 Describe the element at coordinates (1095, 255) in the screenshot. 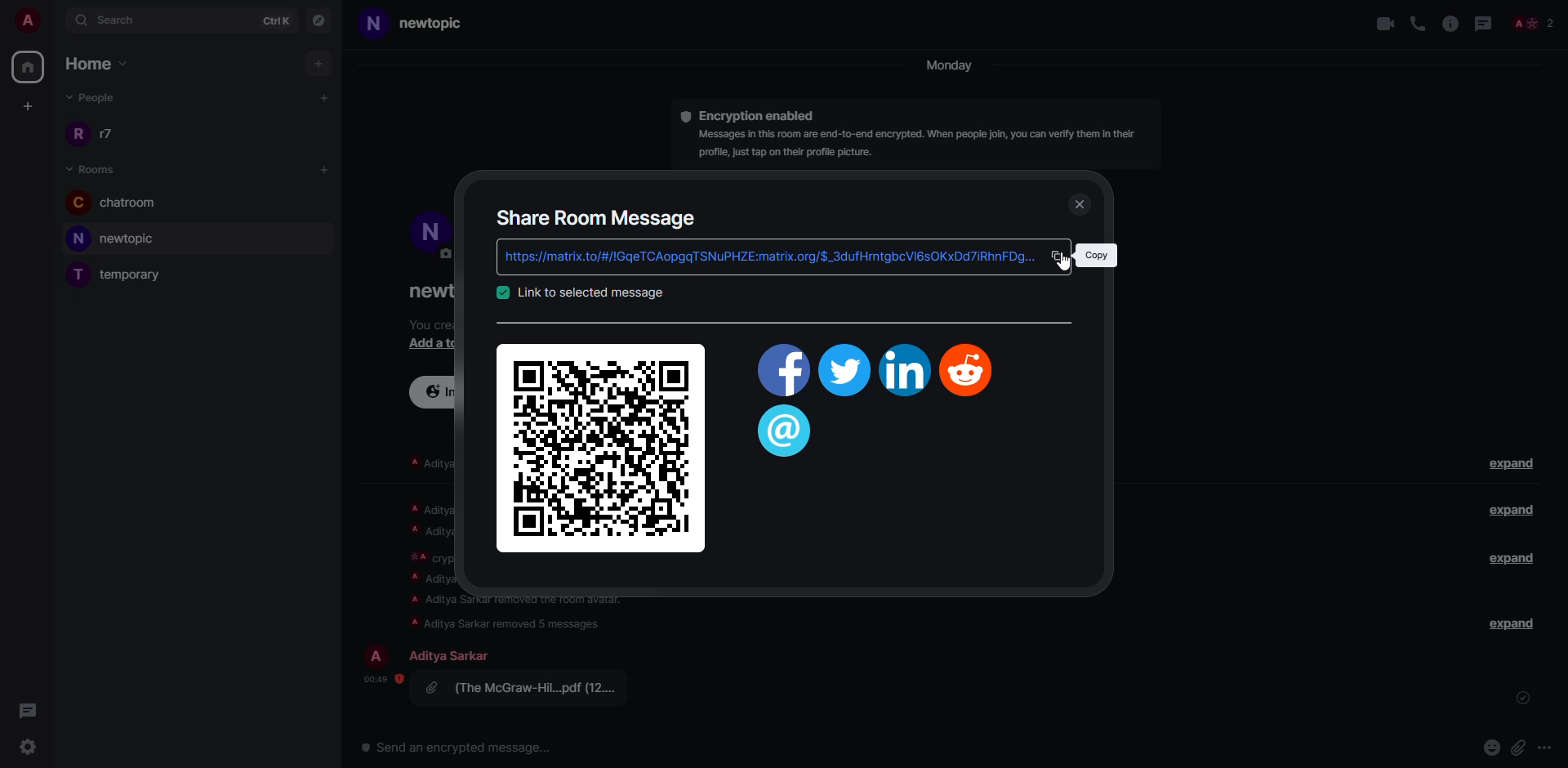

I see `copy` at that location.